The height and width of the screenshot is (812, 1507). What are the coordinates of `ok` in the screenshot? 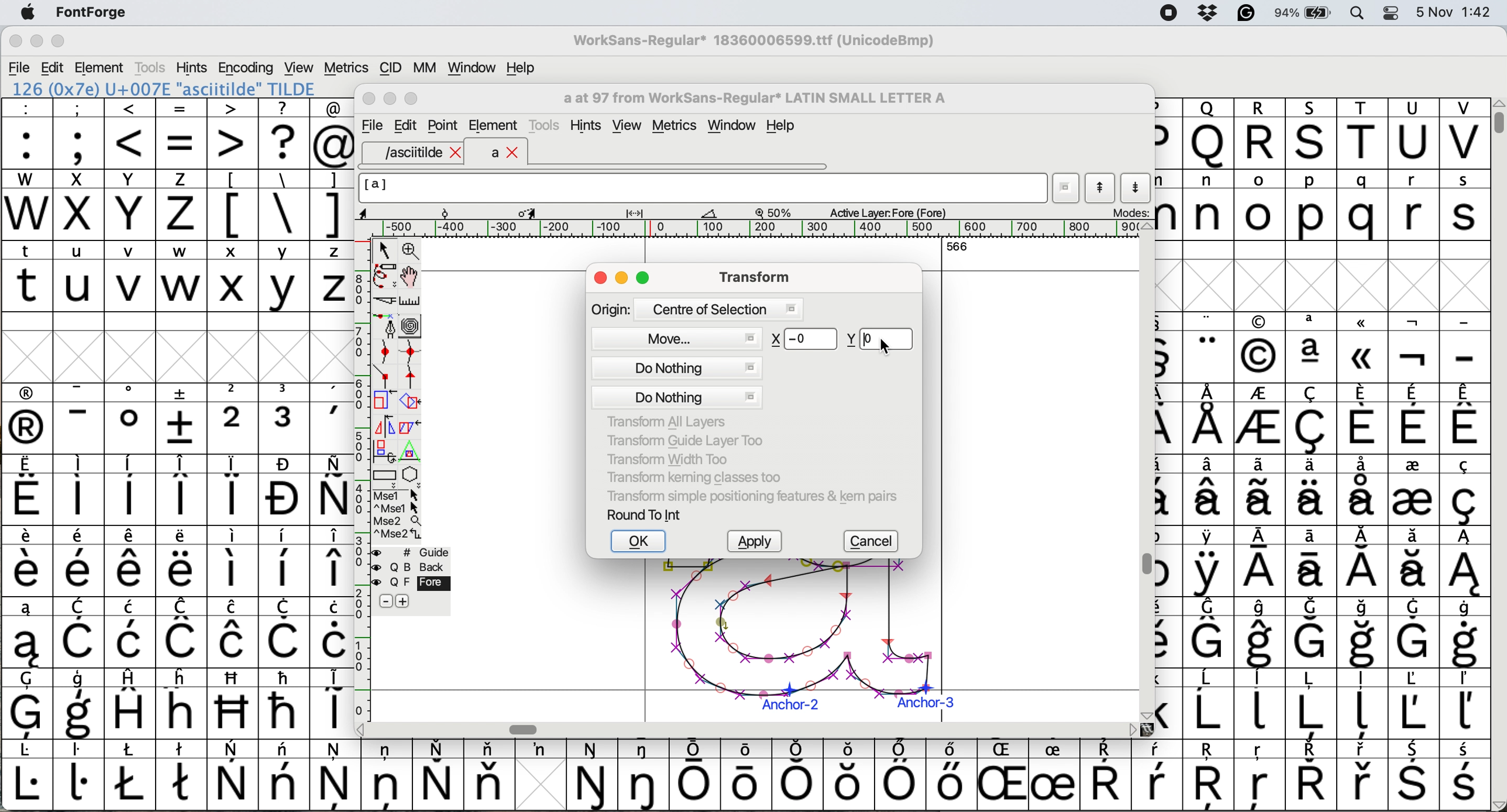 It's located at (640, 542).